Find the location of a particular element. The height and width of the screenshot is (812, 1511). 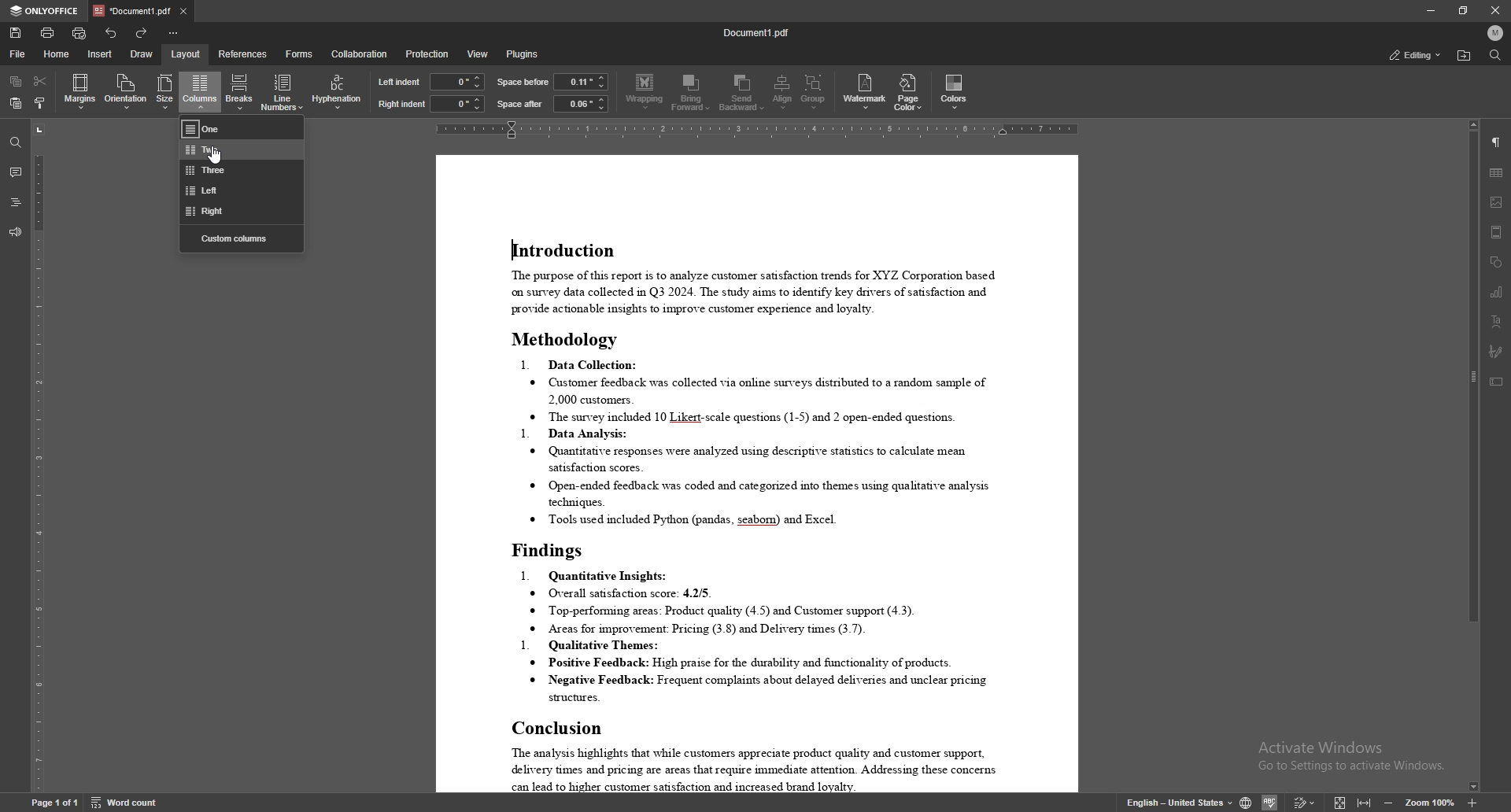

zoom in is located at coordinates (1472, 803).